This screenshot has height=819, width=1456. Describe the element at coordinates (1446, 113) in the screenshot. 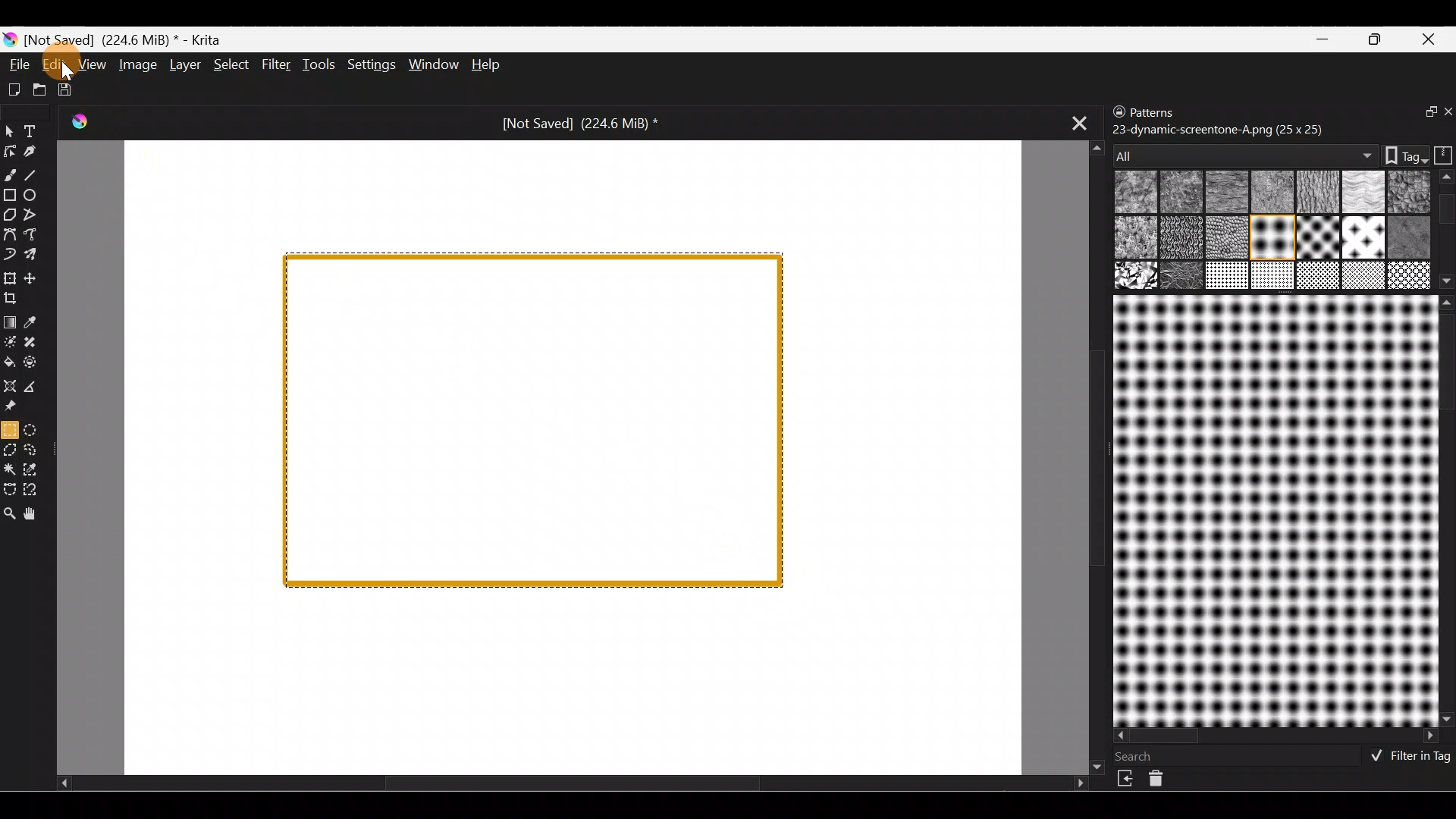

I see `Close docker` at that location.